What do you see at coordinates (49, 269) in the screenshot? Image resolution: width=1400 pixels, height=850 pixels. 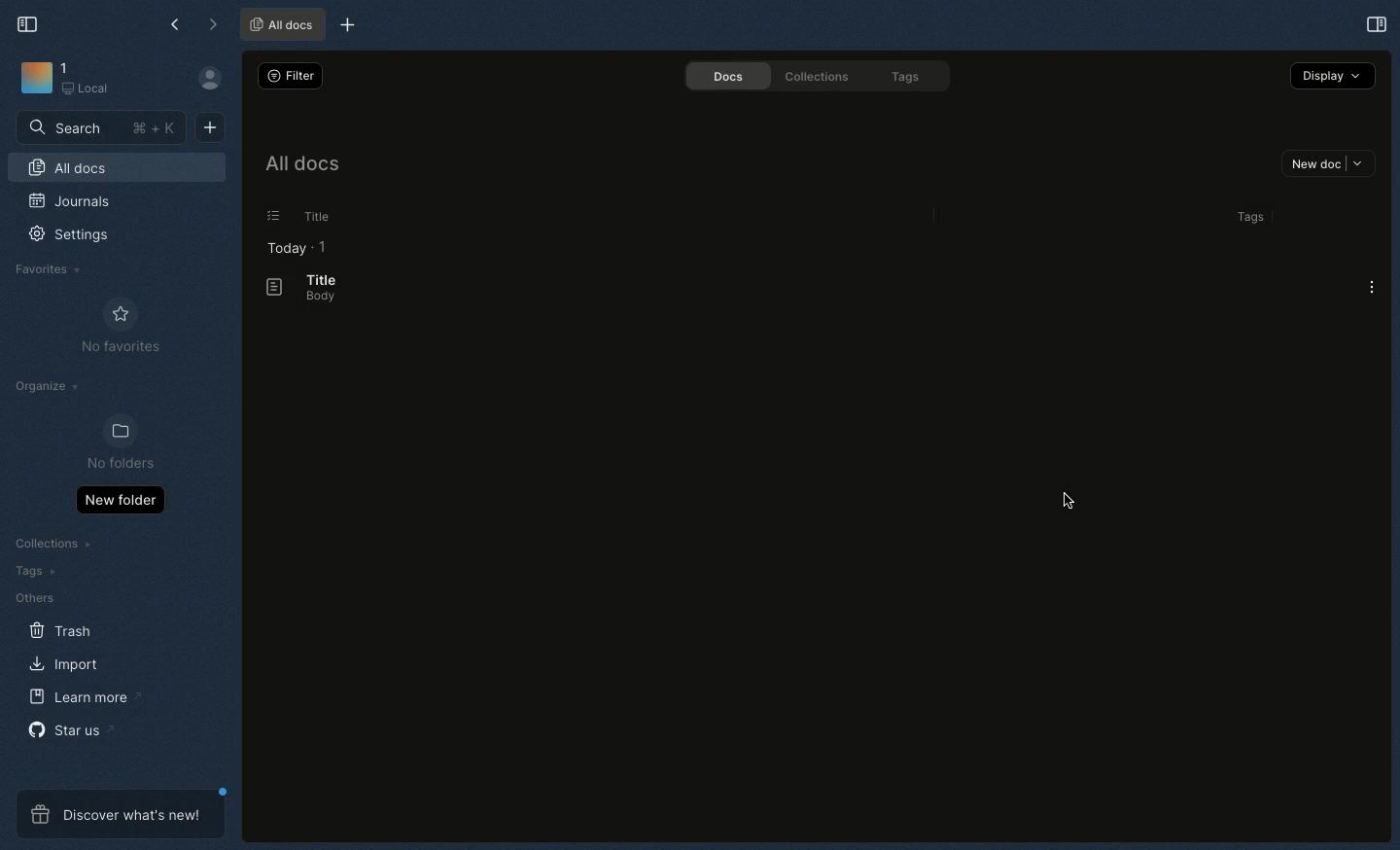 I see `Favorites` at bounding box center [49, 269].